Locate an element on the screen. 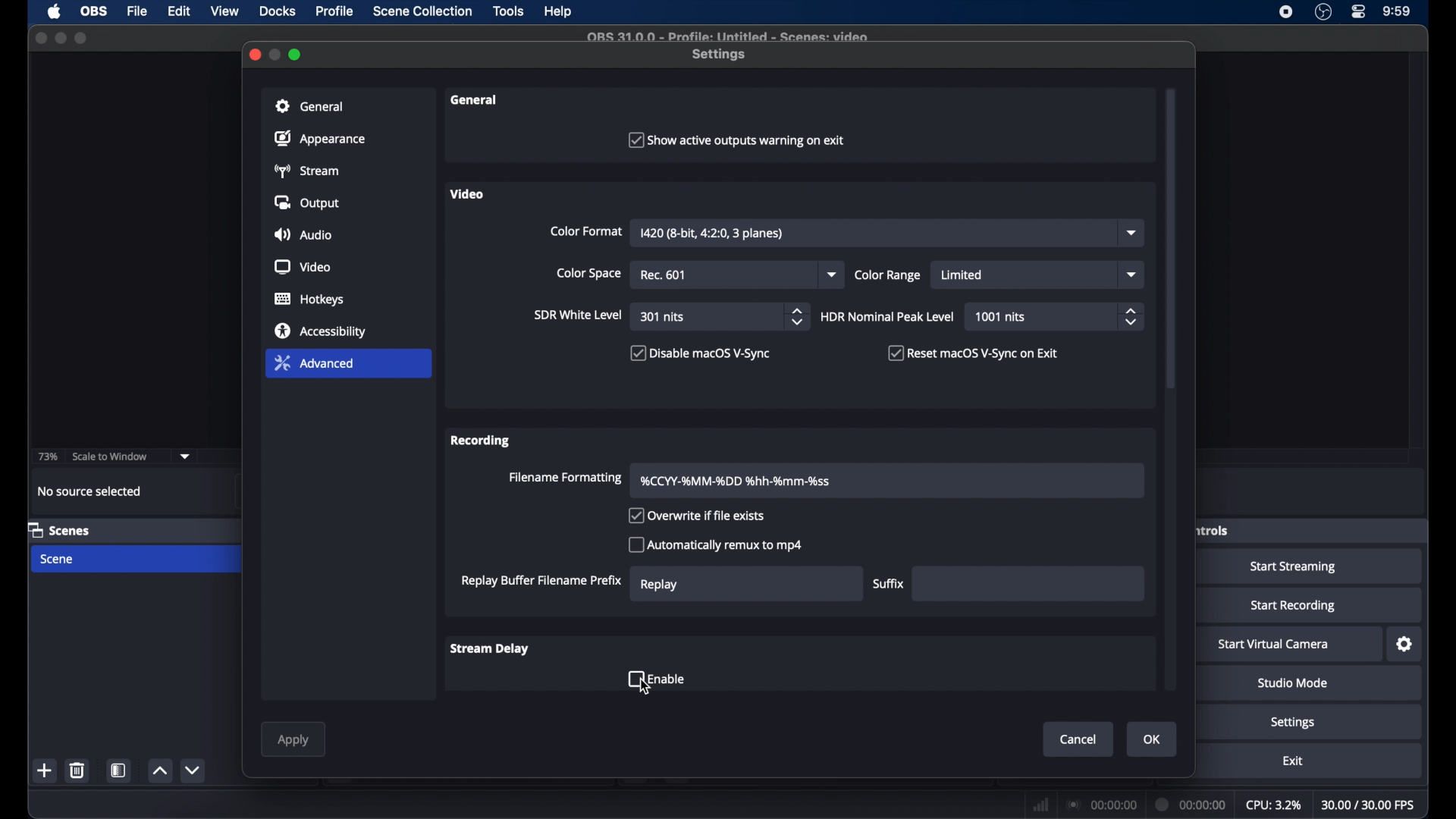 The height and width of the screenshot is (819, 1456). replay is located at coordinates (660, 585).